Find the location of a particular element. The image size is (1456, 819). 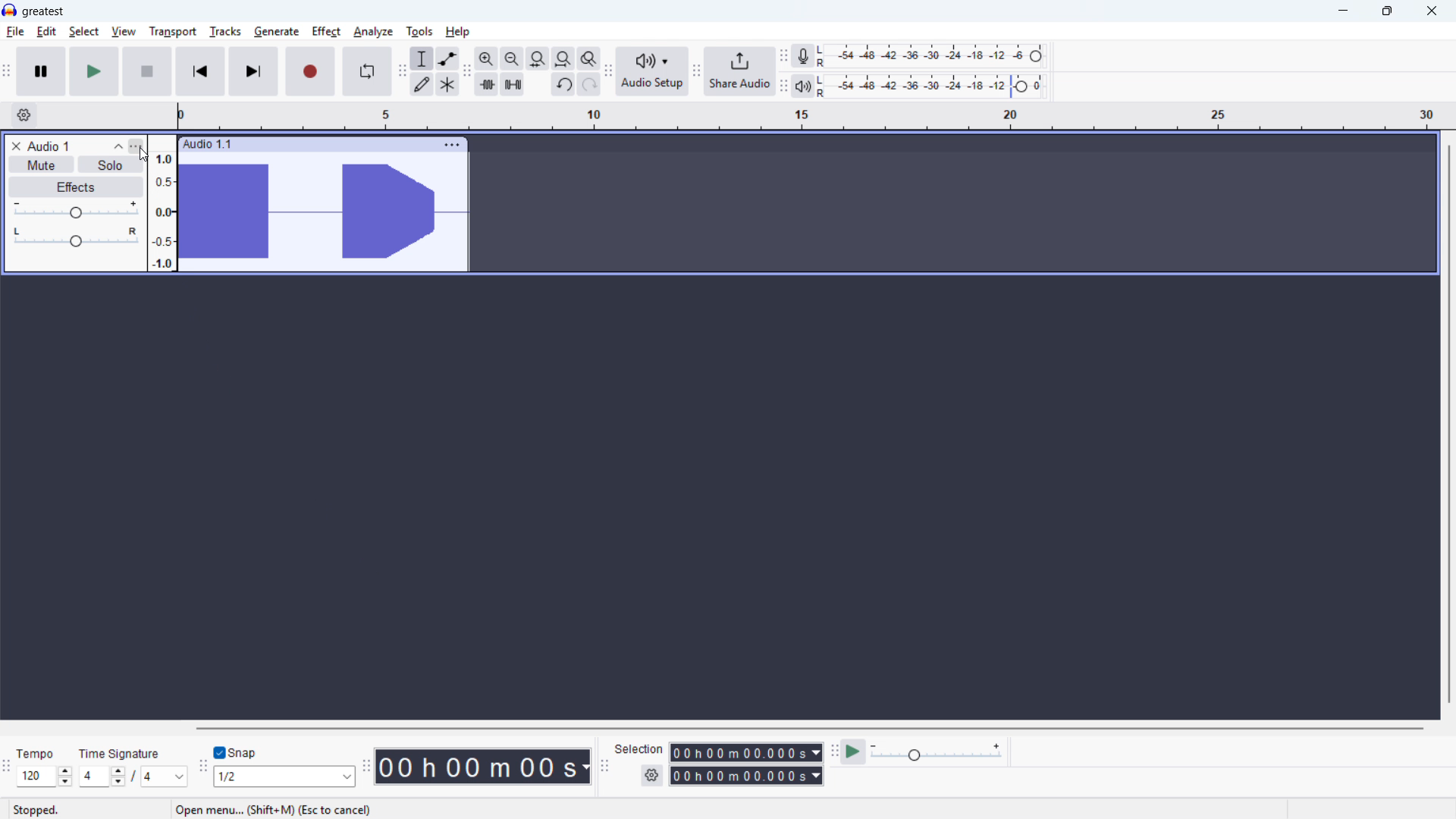

Generate  is located at coordinates (276, 32).